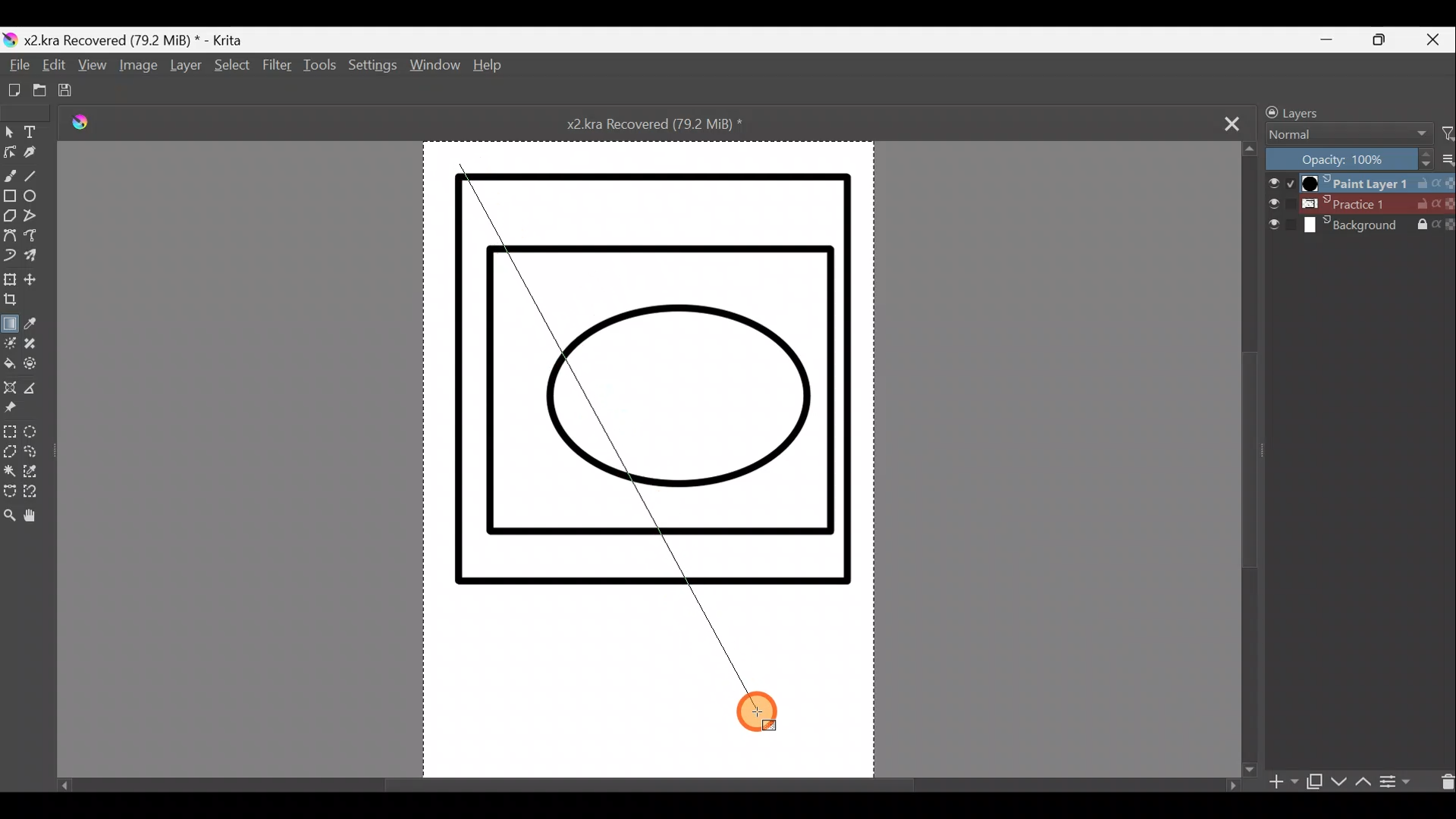 This screenshot has height=819, width=1456. What do you see at coordinates (1357, 181) in the screenshot?
I see `Layer 1` at bounding box center [1357, 181].